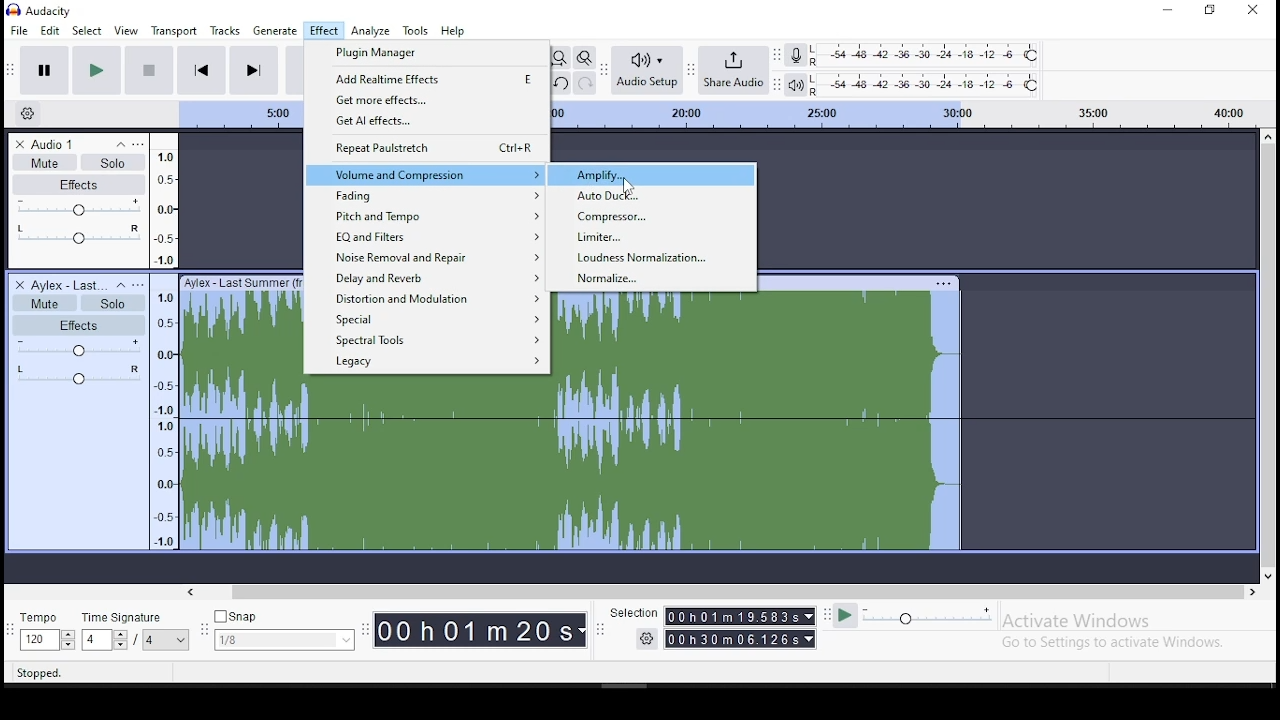  What do you see at coordinates (426, 176) in the screenshot?
I see `volume and compression` at bounding box center [426, 176].